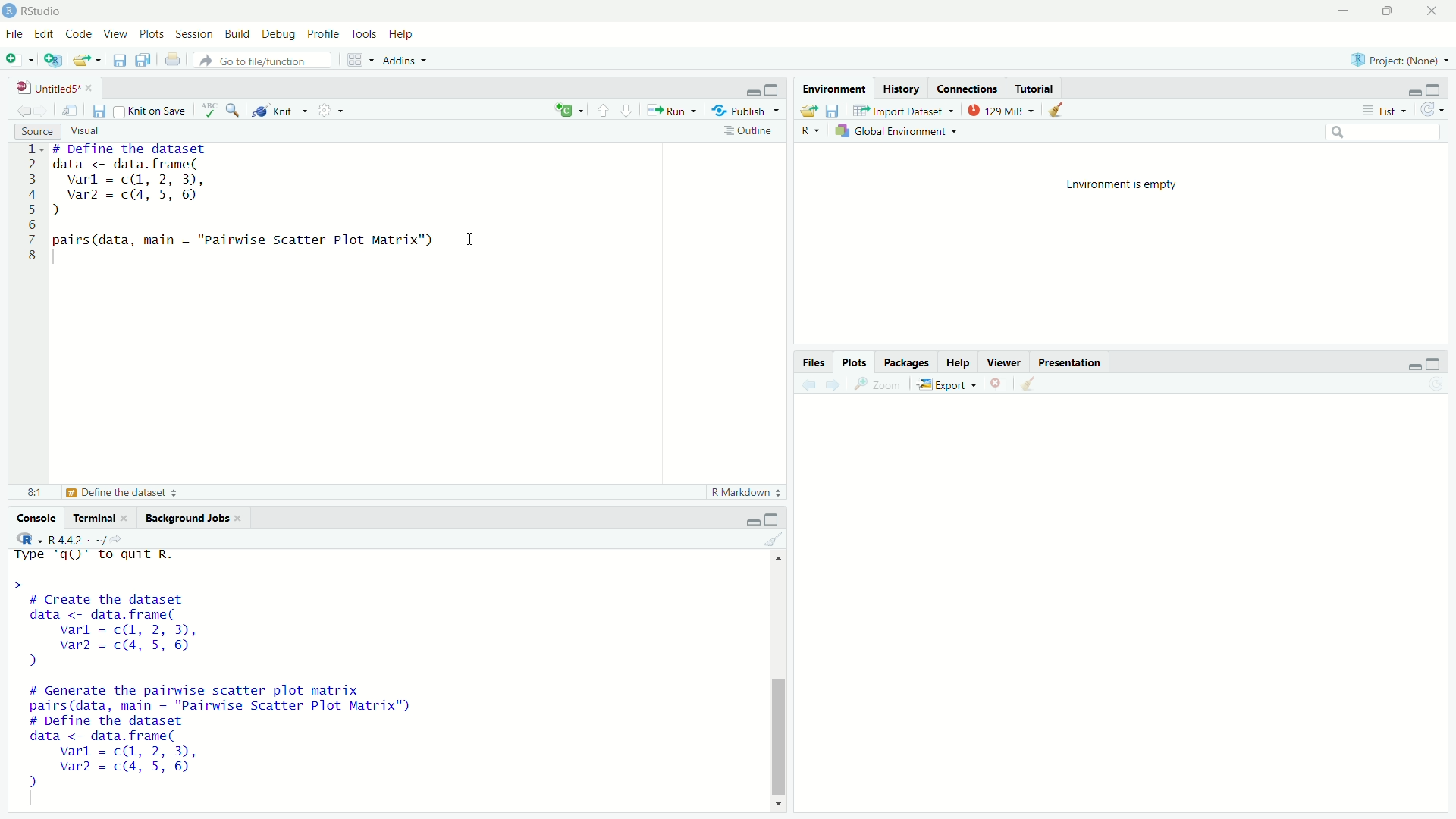  What do you see at coordinates (18, 58) in the screenshot?
I see `New File` at bounding box center [18, 58].